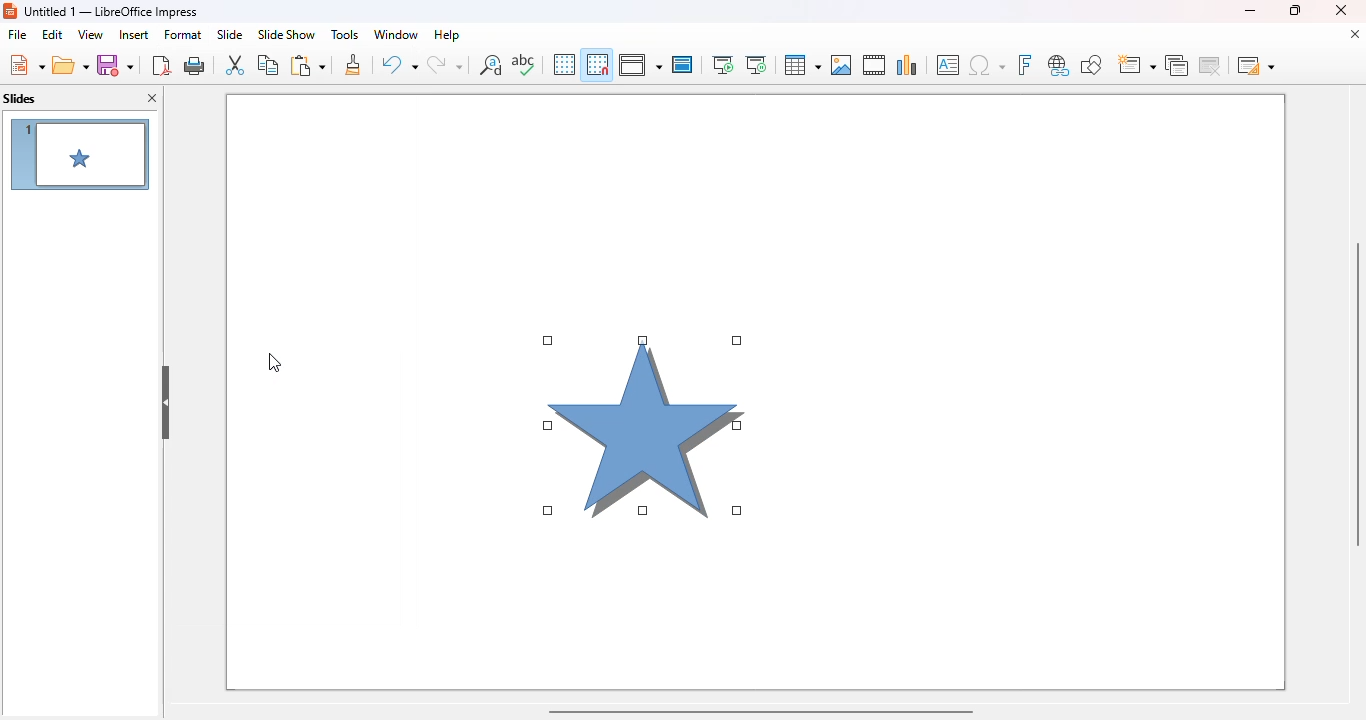 Image resolution: width=1366 pixels, height=720 pixels. Describe the element at coordinates (756, 65) in the screenshot. I see `start from current slide` at that location.